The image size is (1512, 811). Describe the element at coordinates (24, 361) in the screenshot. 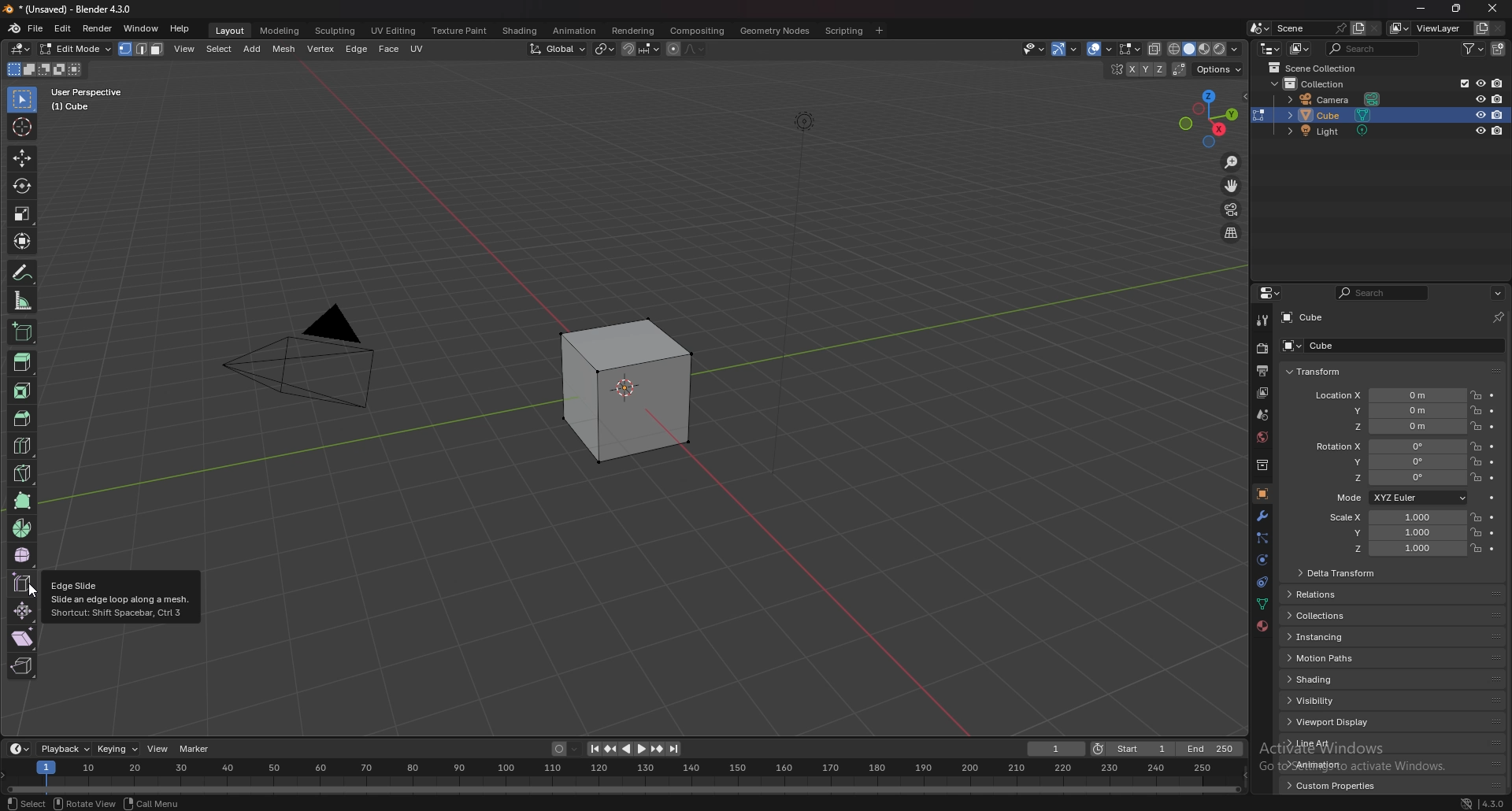

I see `extrude region` at that location.